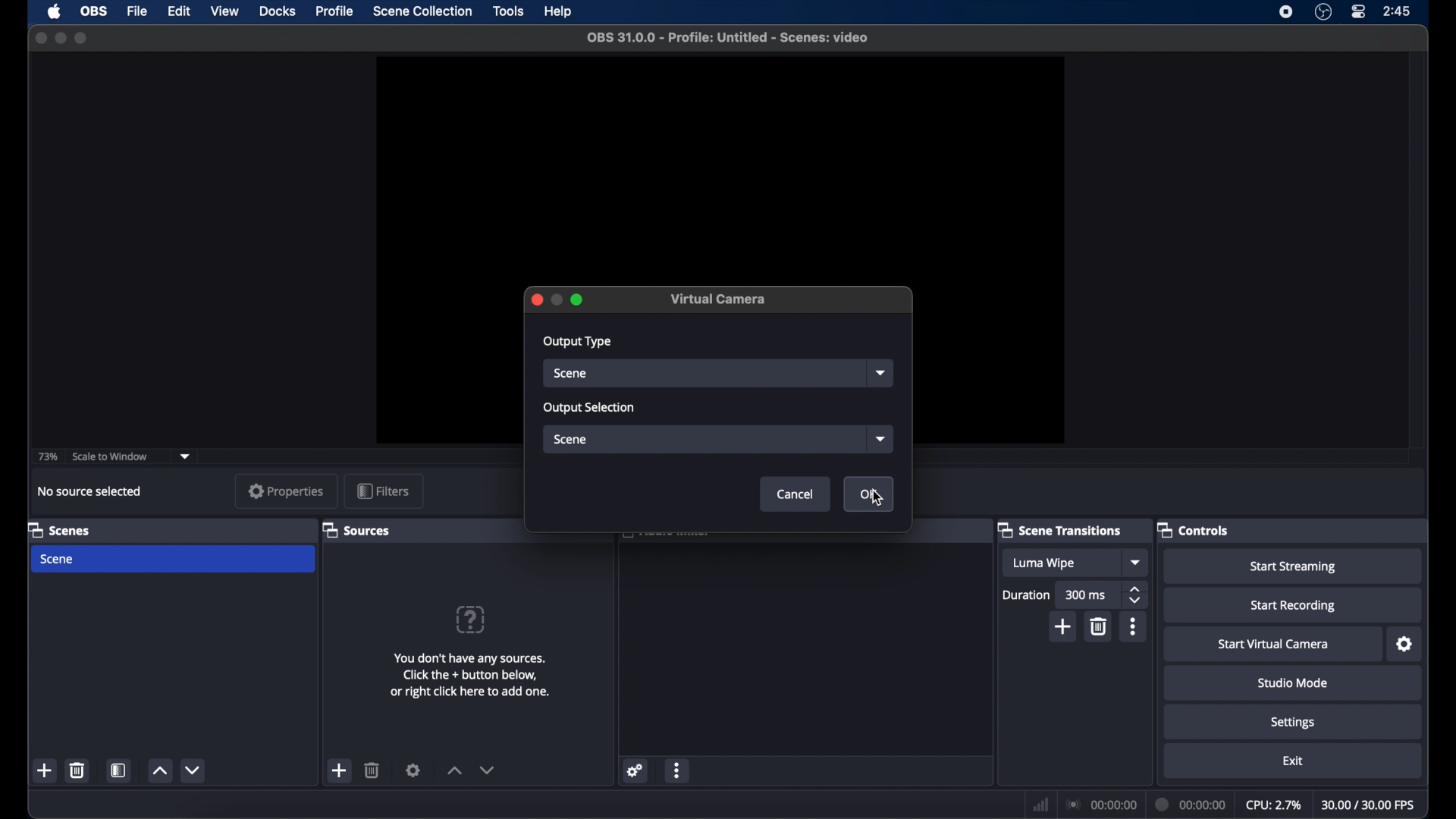 The width and height of the screenshot is (1456, 819). Describe the element at coordinates (453, 770) in the screenshot. I see `increment` at that location.